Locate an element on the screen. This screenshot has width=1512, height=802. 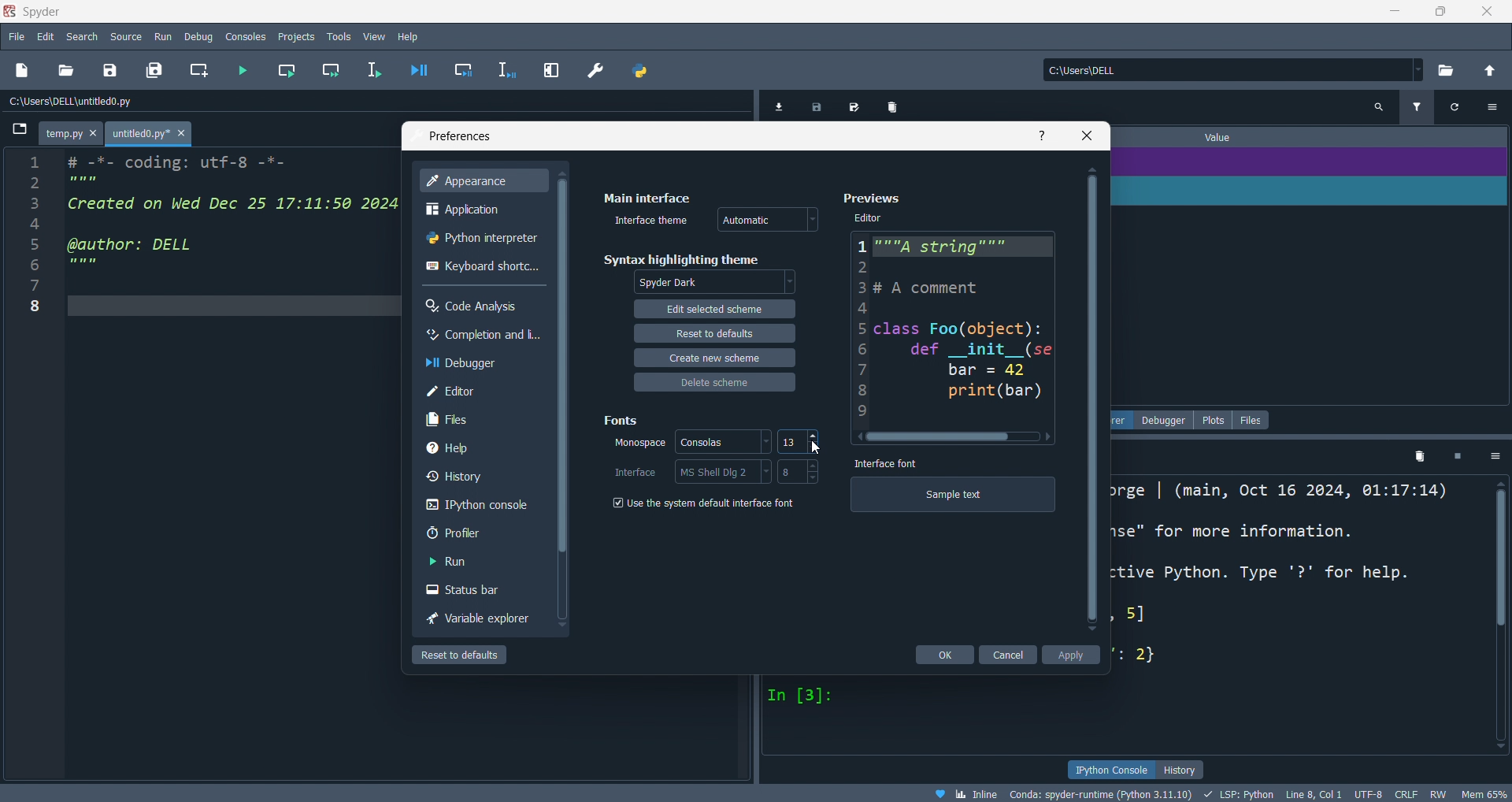
search variables is located at coordinates (1382, 110).